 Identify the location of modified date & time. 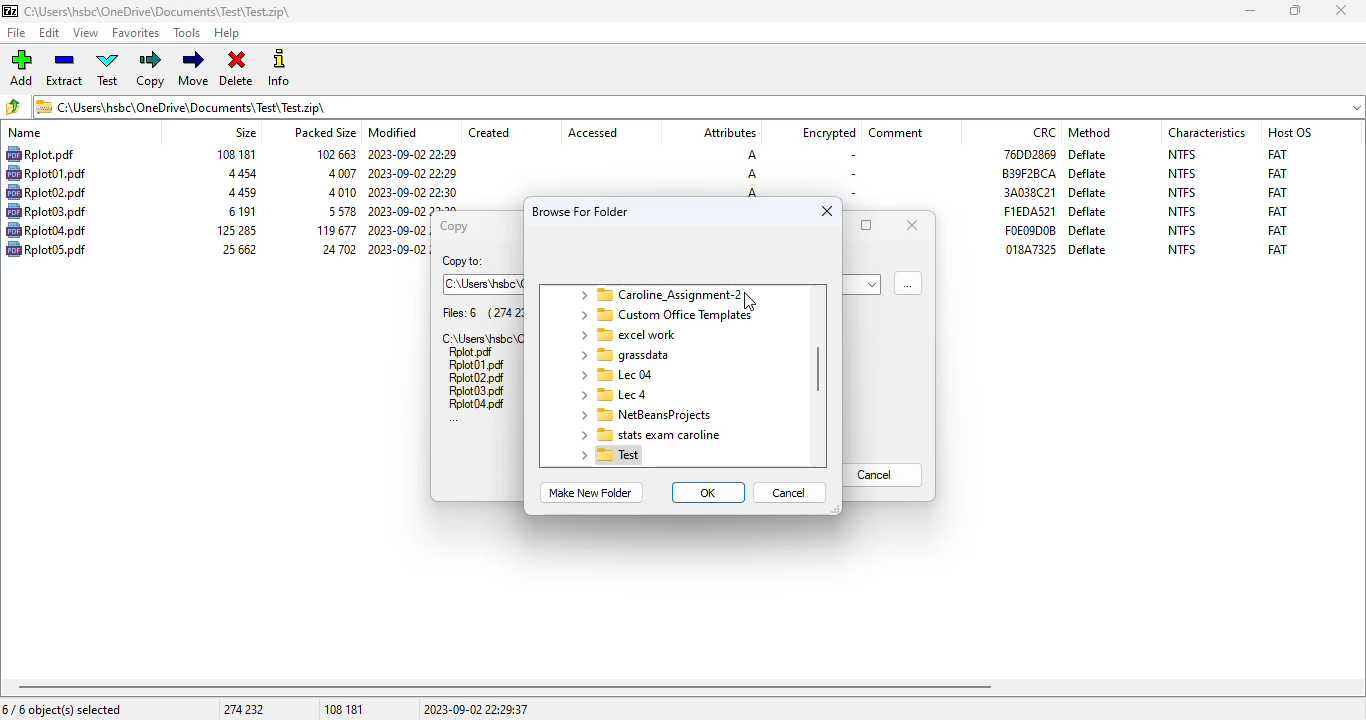
(413, 192).